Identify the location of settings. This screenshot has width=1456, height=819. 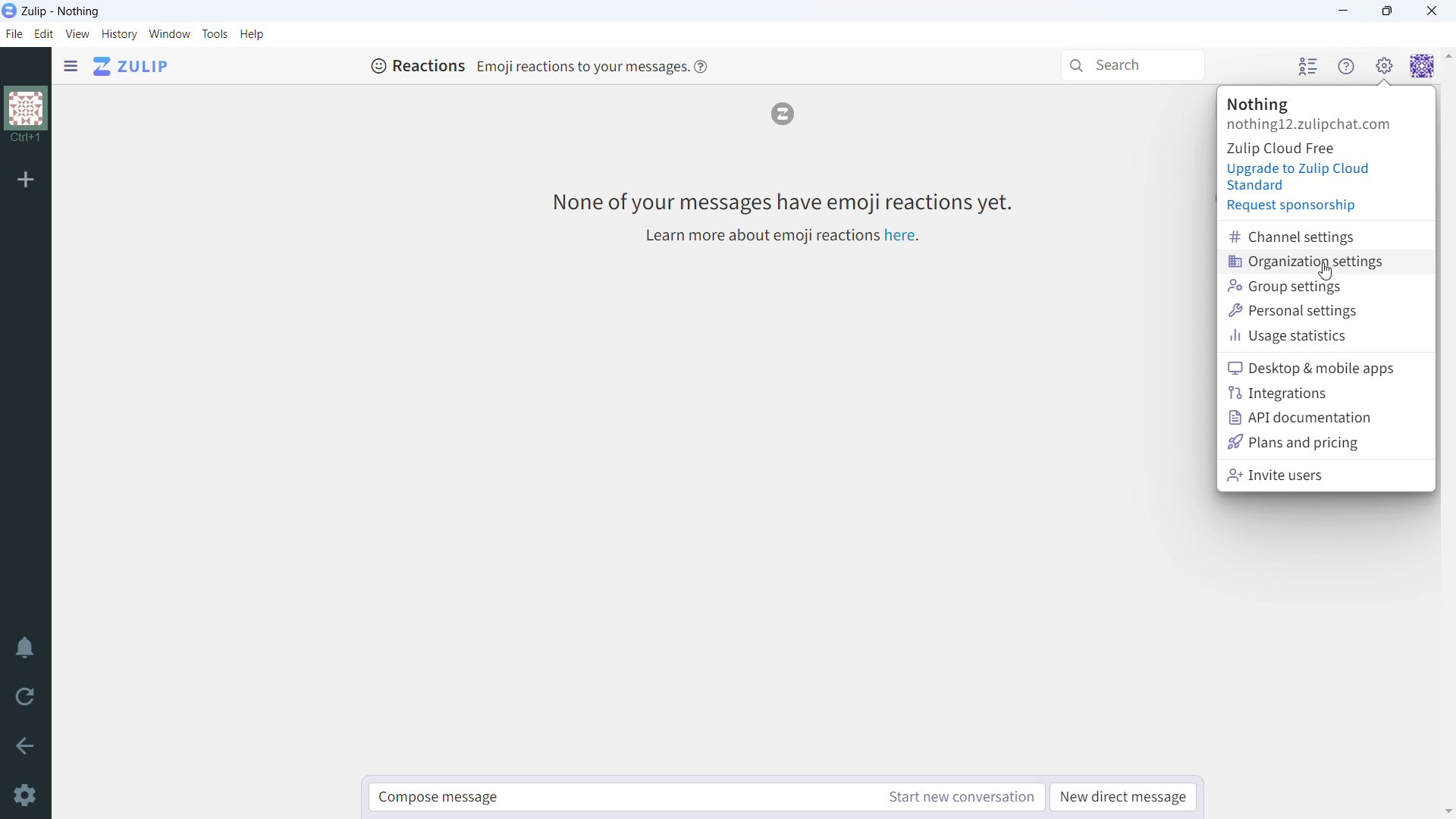
(24, 795).